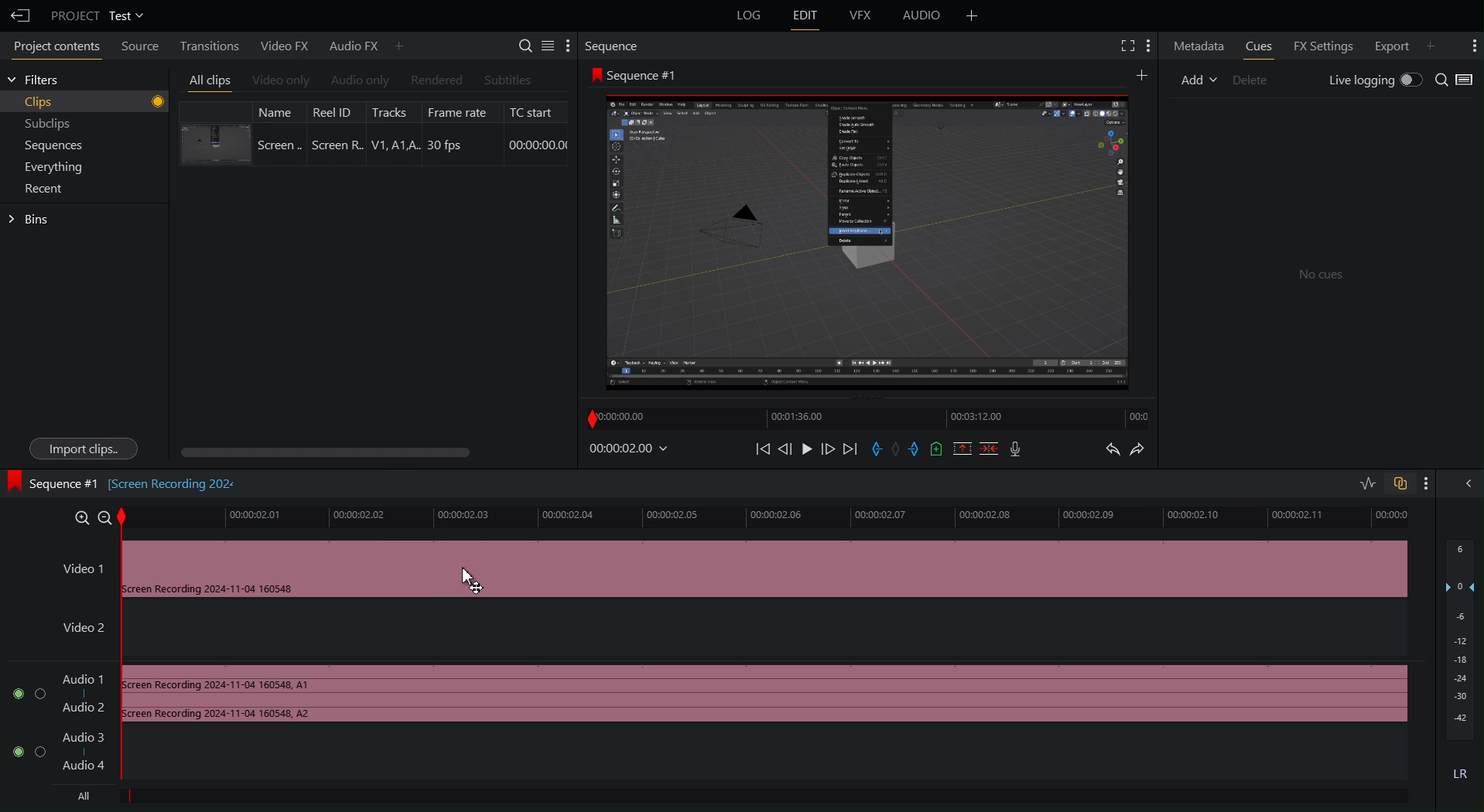 The image size is (1484, 812). I want to click on Transitions, so click(211, 45).